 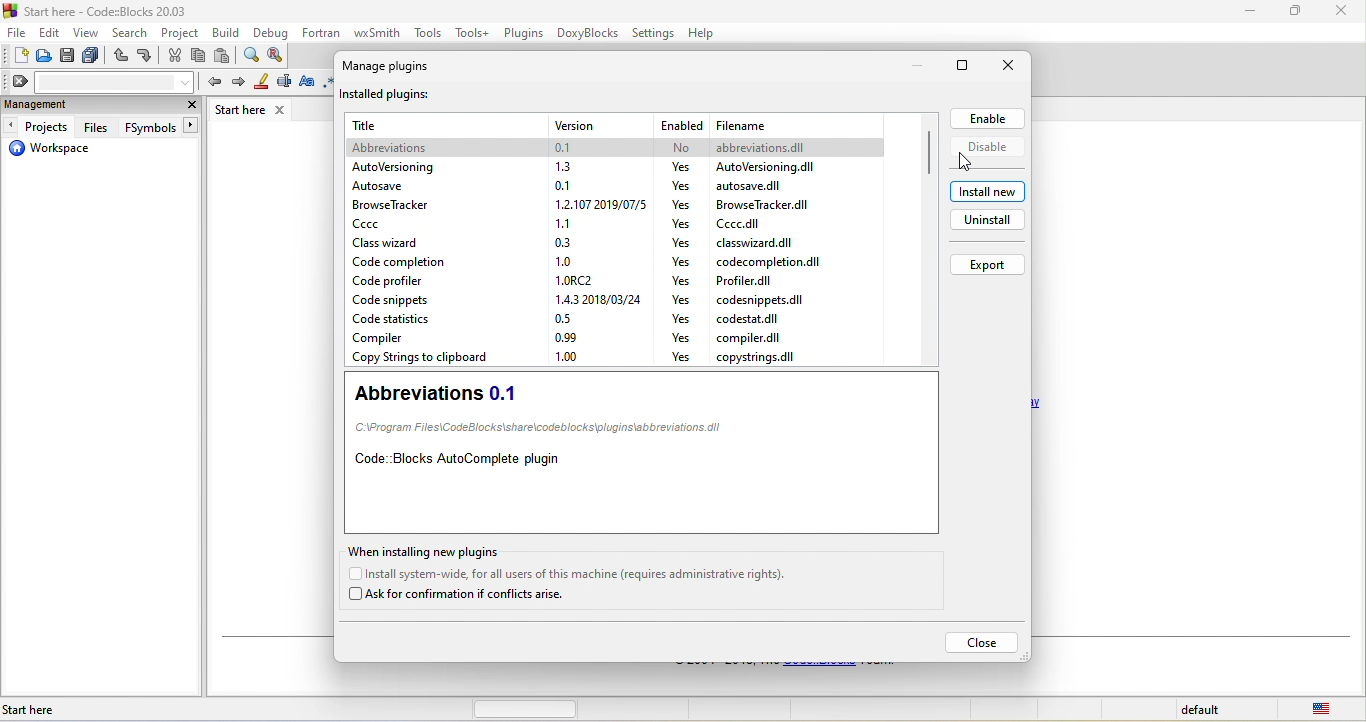 I want to click on save, so click(x=67, y=57).